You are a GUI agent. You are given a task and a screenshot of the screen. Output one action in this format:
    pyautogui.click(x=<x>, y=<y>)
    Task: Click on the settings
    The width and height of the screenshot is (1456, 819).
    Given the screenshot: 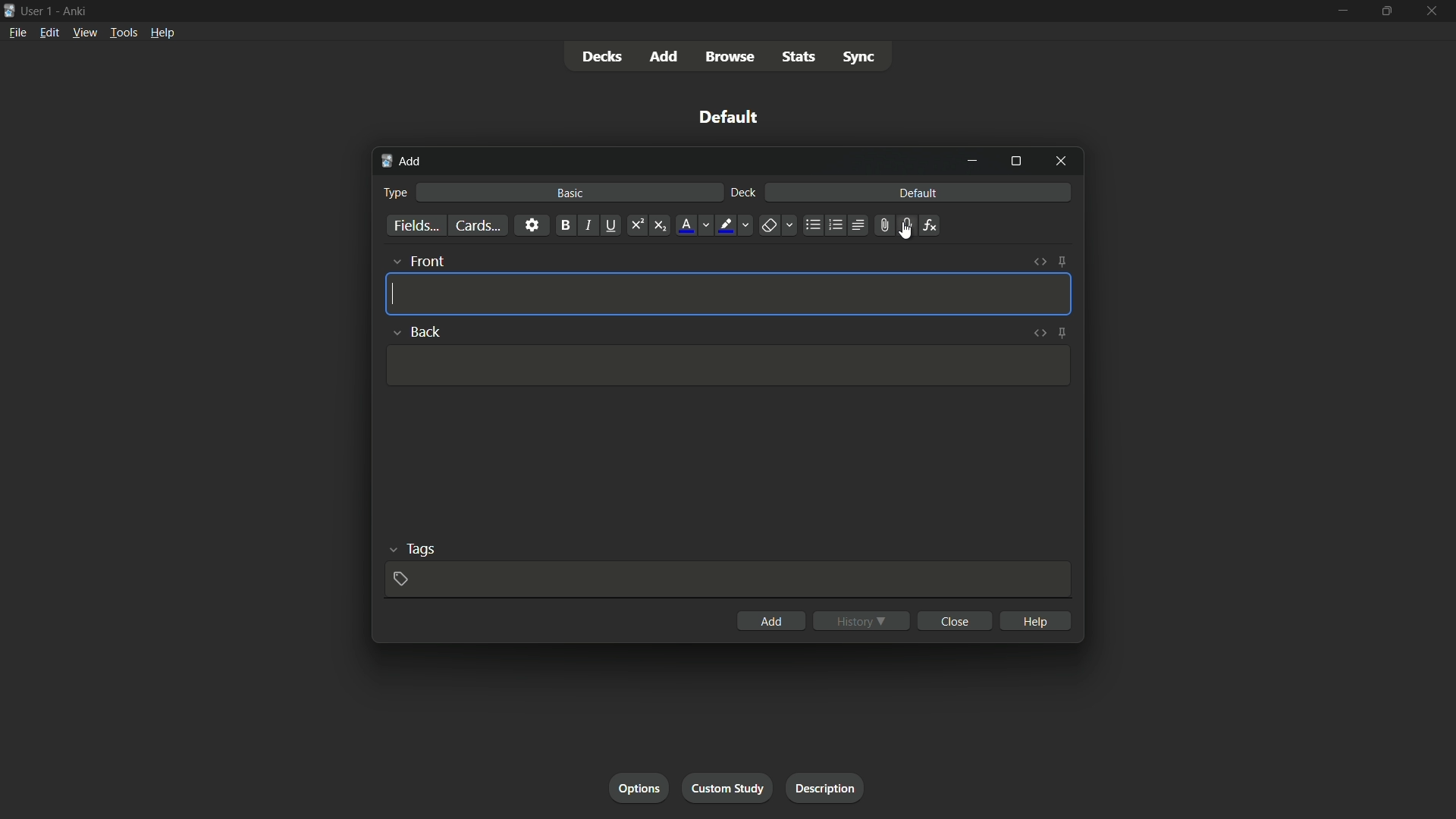 What is the action you would take?
    pyautogui.click(x=531, y=225)
    